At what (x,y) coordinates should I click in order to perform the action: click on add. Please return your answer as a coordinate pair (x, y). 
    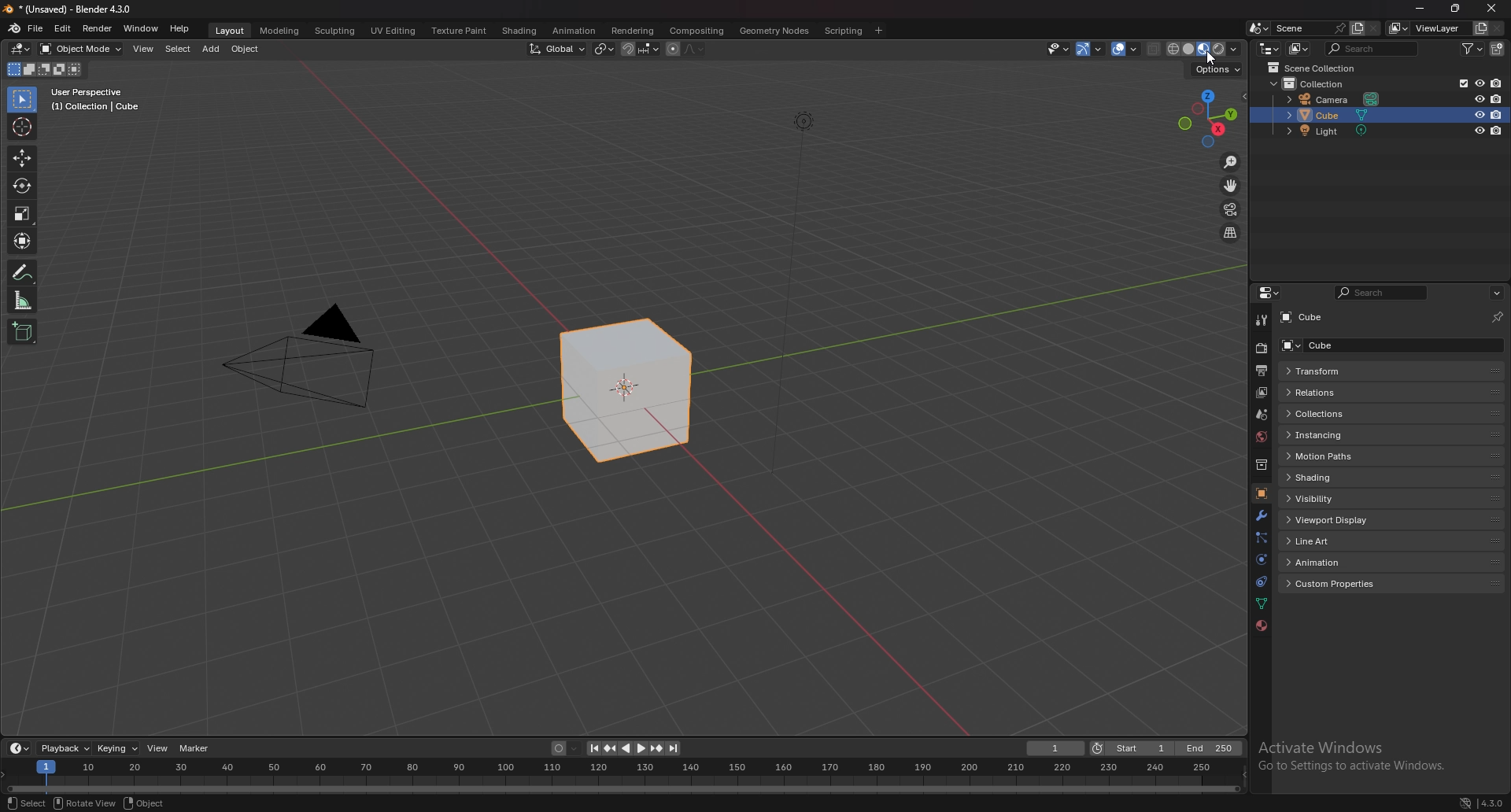
    Looking at the image, I should click on (212, 50).